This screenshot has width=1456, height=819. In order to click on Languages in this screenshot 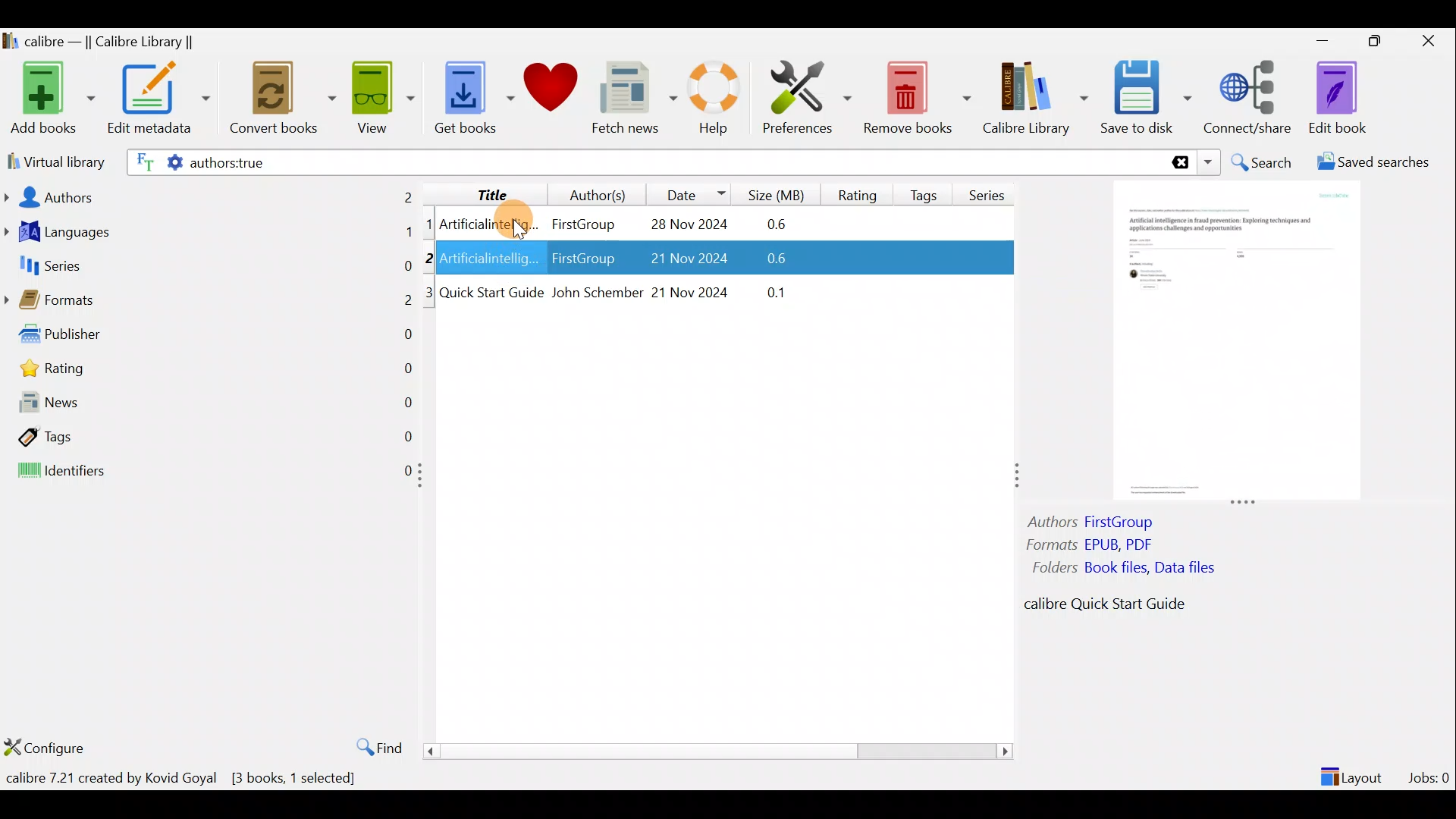, I will do `click(209, 234)`.